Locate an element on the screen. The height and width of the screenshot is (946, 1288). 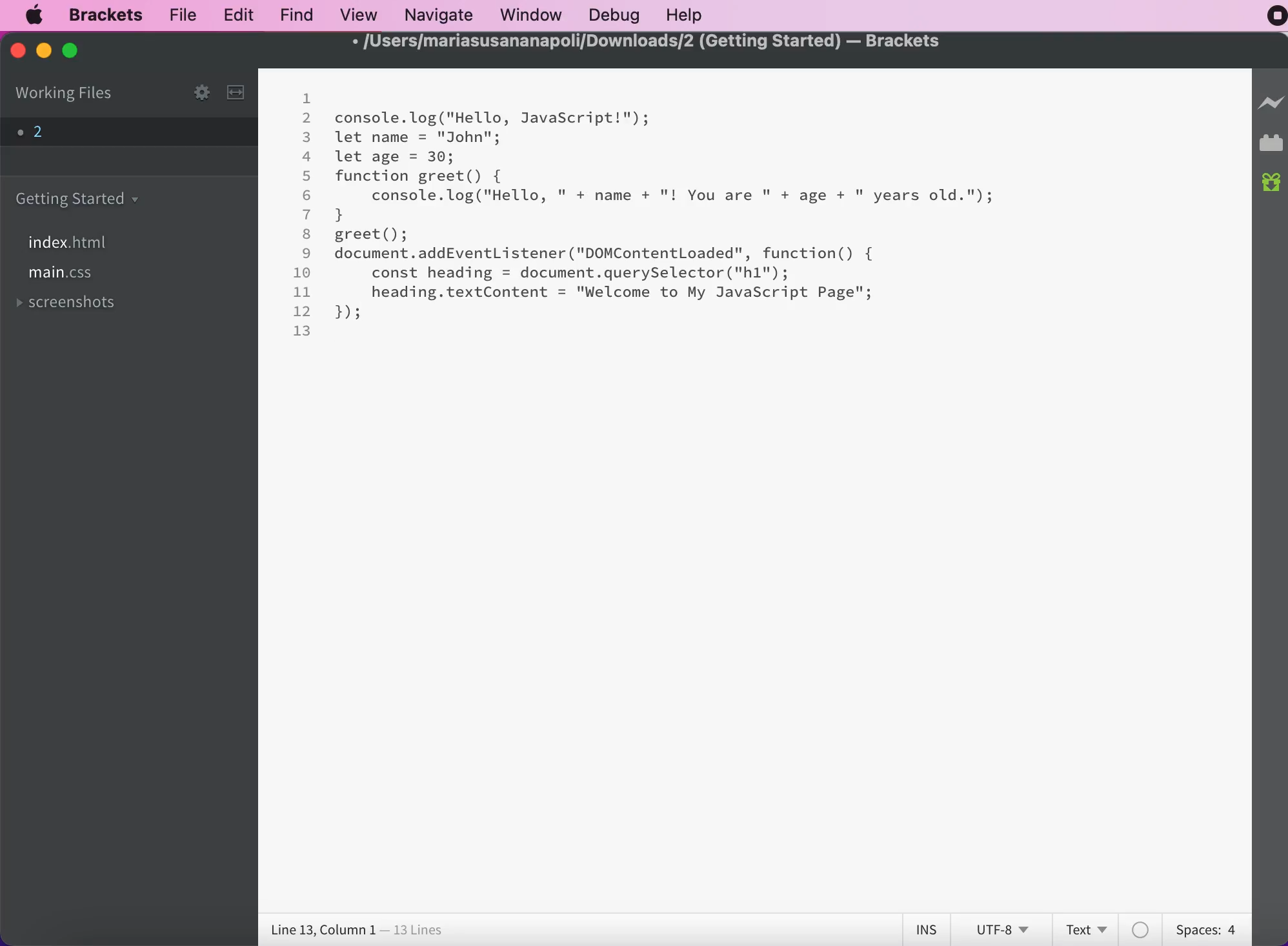
utf-8 is located at coordinates (1001, 927).